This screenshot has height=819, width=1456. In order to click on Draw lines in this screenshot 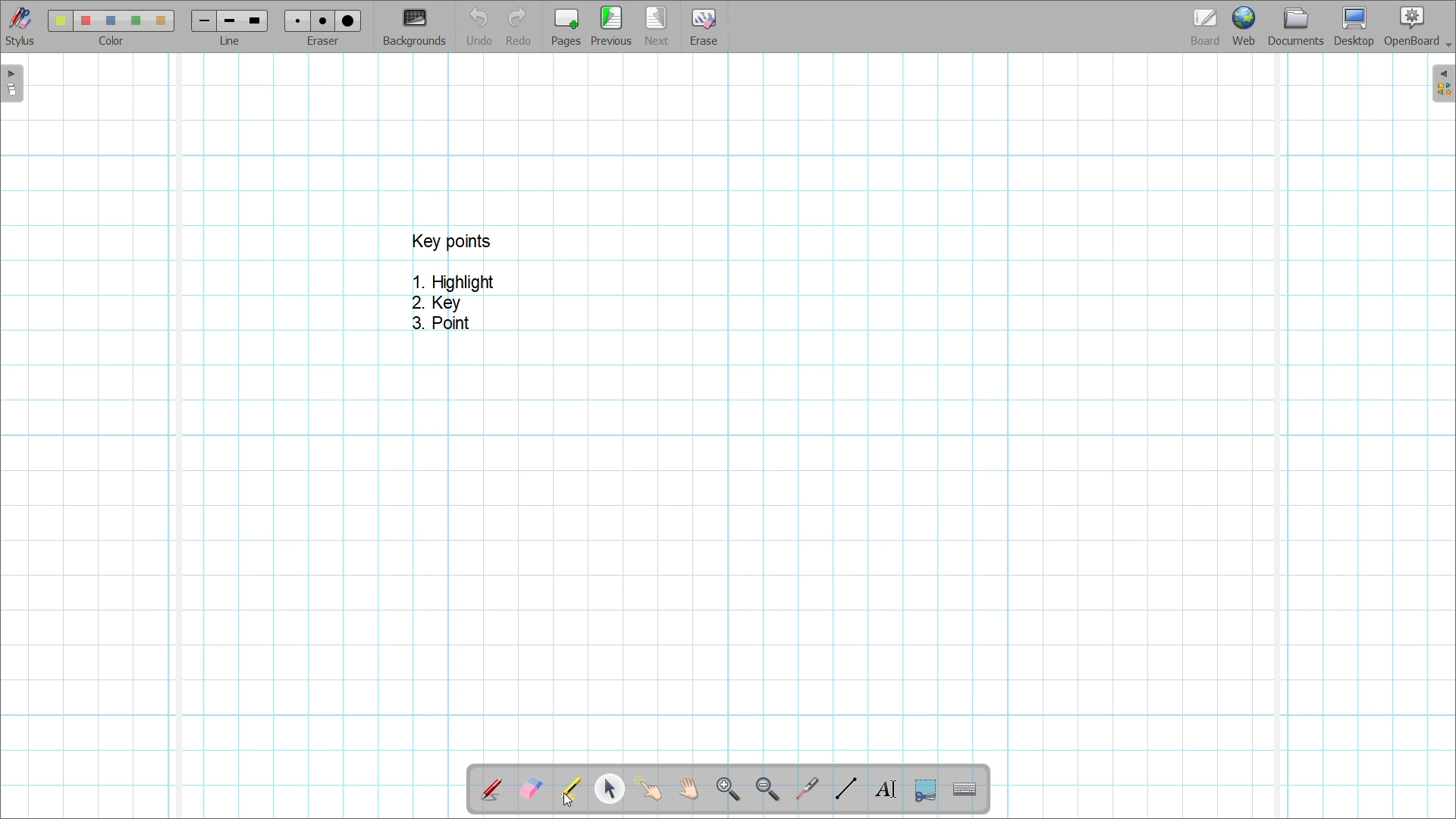, I will do `click(846, 789)`.